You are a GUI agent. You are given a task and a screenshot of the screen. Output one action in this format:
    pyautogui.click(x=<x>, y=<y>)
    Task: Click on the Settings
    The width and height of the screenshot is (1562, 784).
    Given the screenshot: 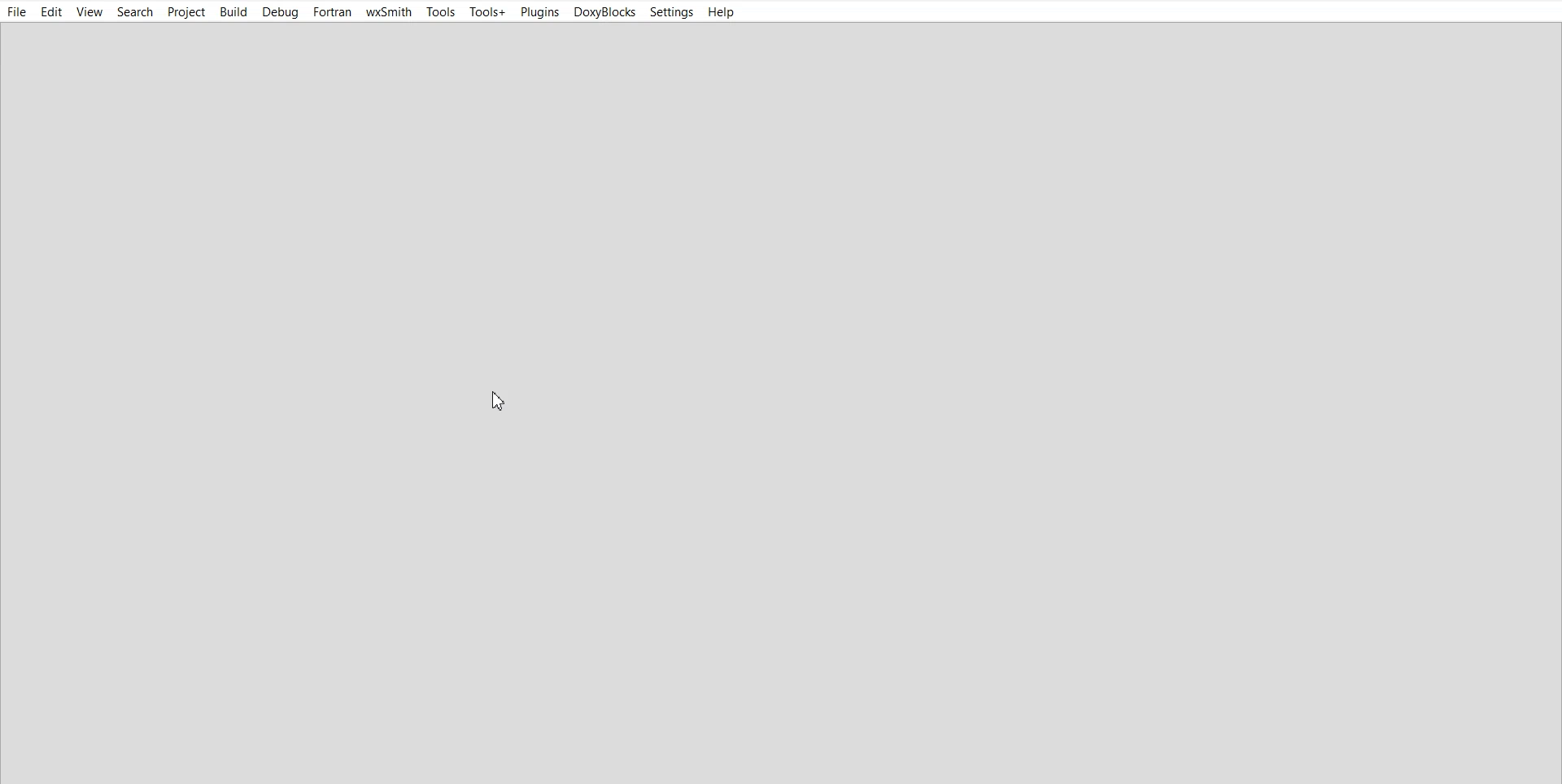 What is the action you would take?
    pyautogui.click(x=671, y=11)
    